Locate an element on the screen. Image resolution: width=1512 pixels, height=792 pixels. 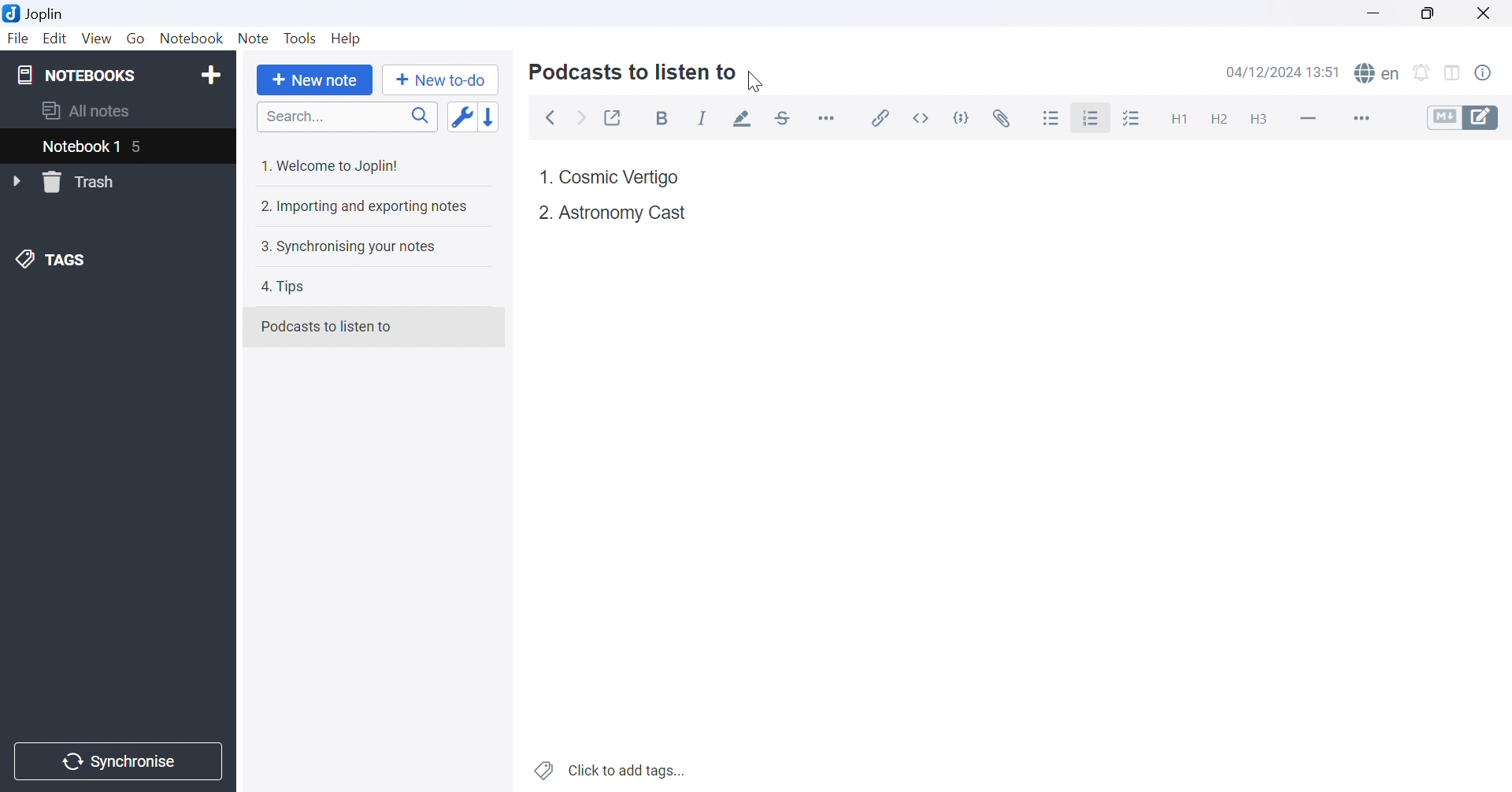
Note is located at coordinates (254, 38).